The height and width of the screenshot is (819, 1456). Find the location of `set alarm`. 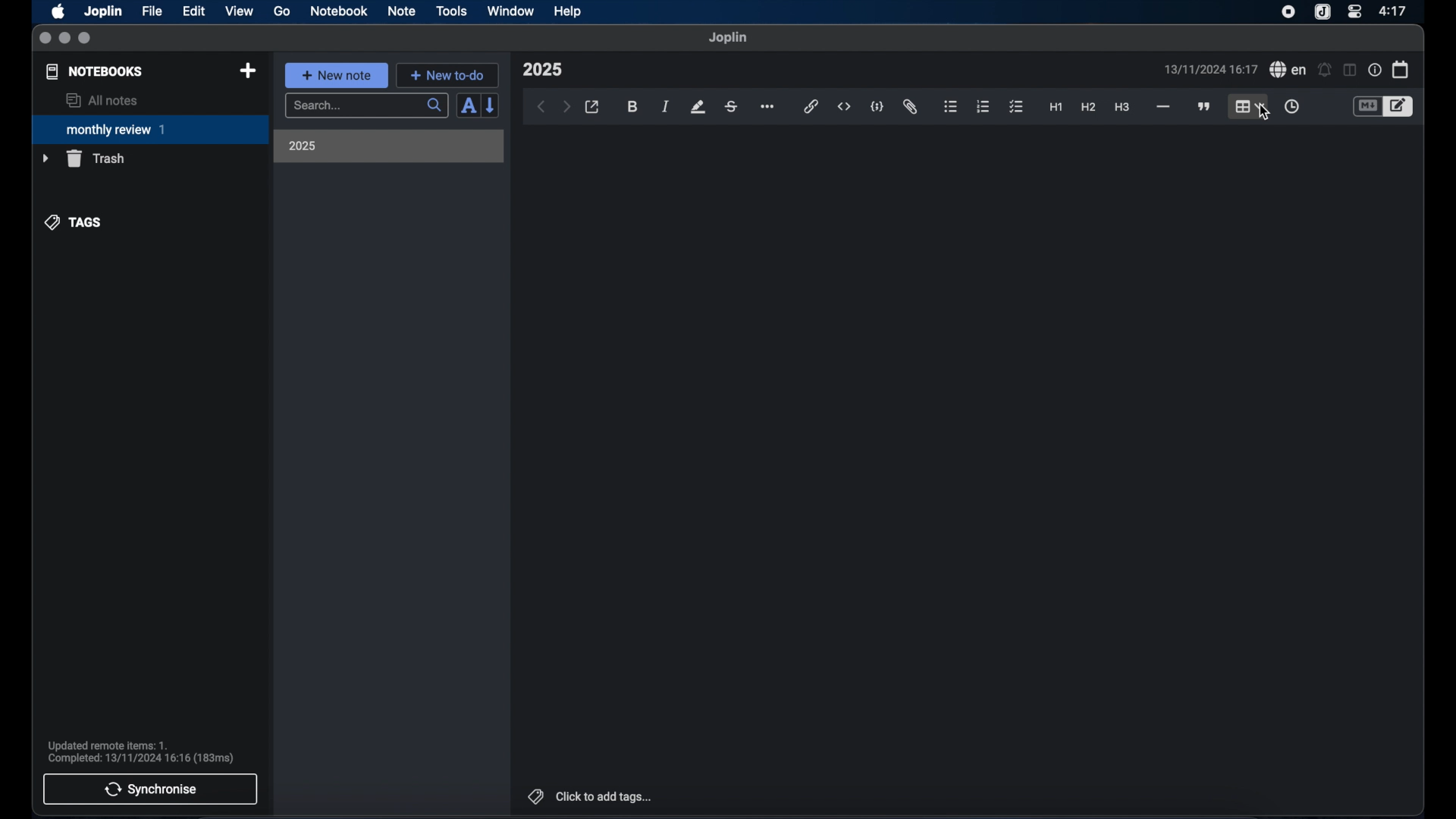

set alarm is located at coordinates (1325, 71).